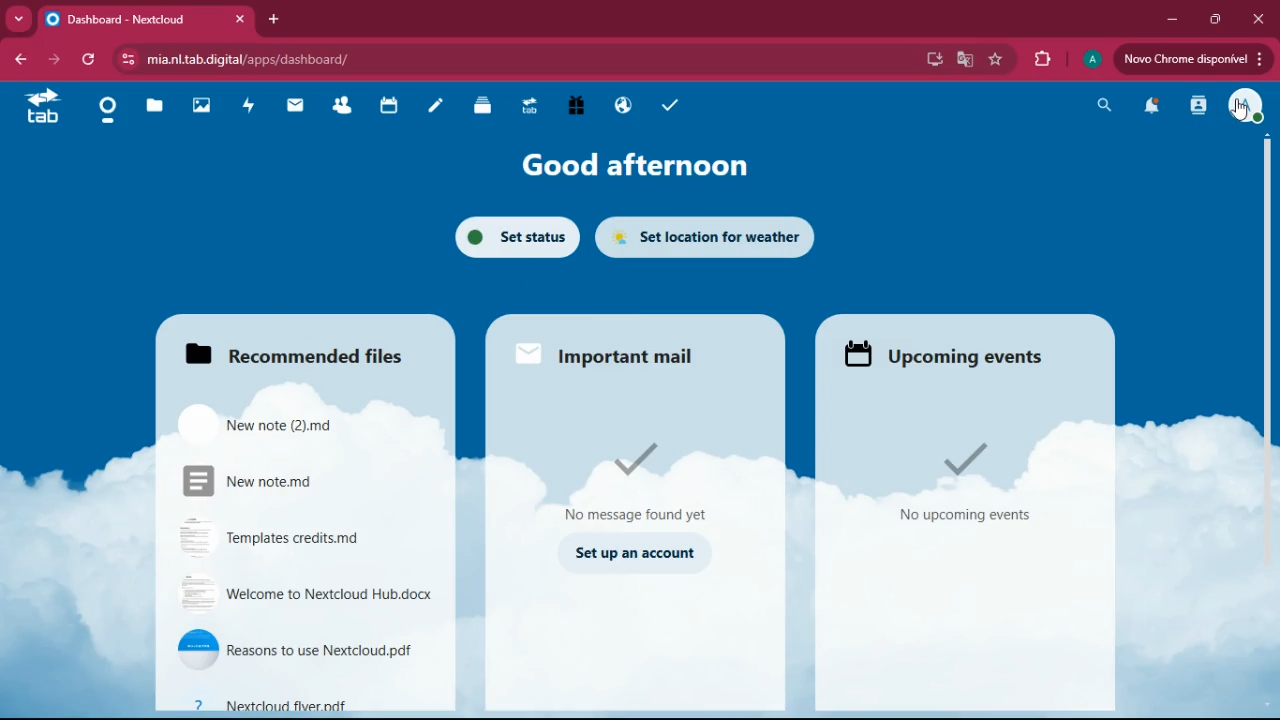 Image resolution: width=1280 pixels, height=720 pixels. I want to click on profile, so click(1248, 107).